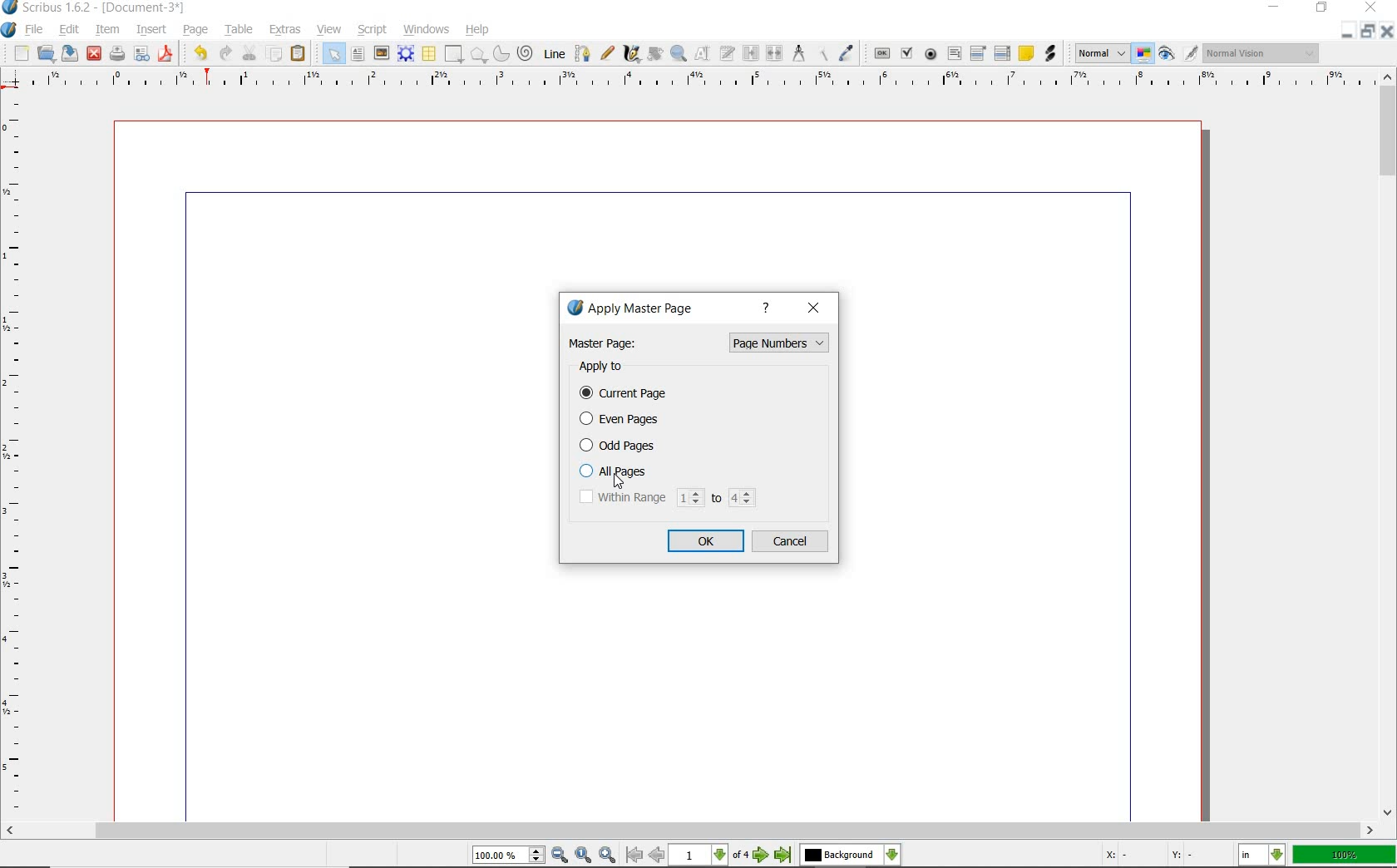 This screenshot has width=1397, height=868. Describe the element at coordinates (678, 54) in the screenshot. I see `zoom in or zoom out` at that location.